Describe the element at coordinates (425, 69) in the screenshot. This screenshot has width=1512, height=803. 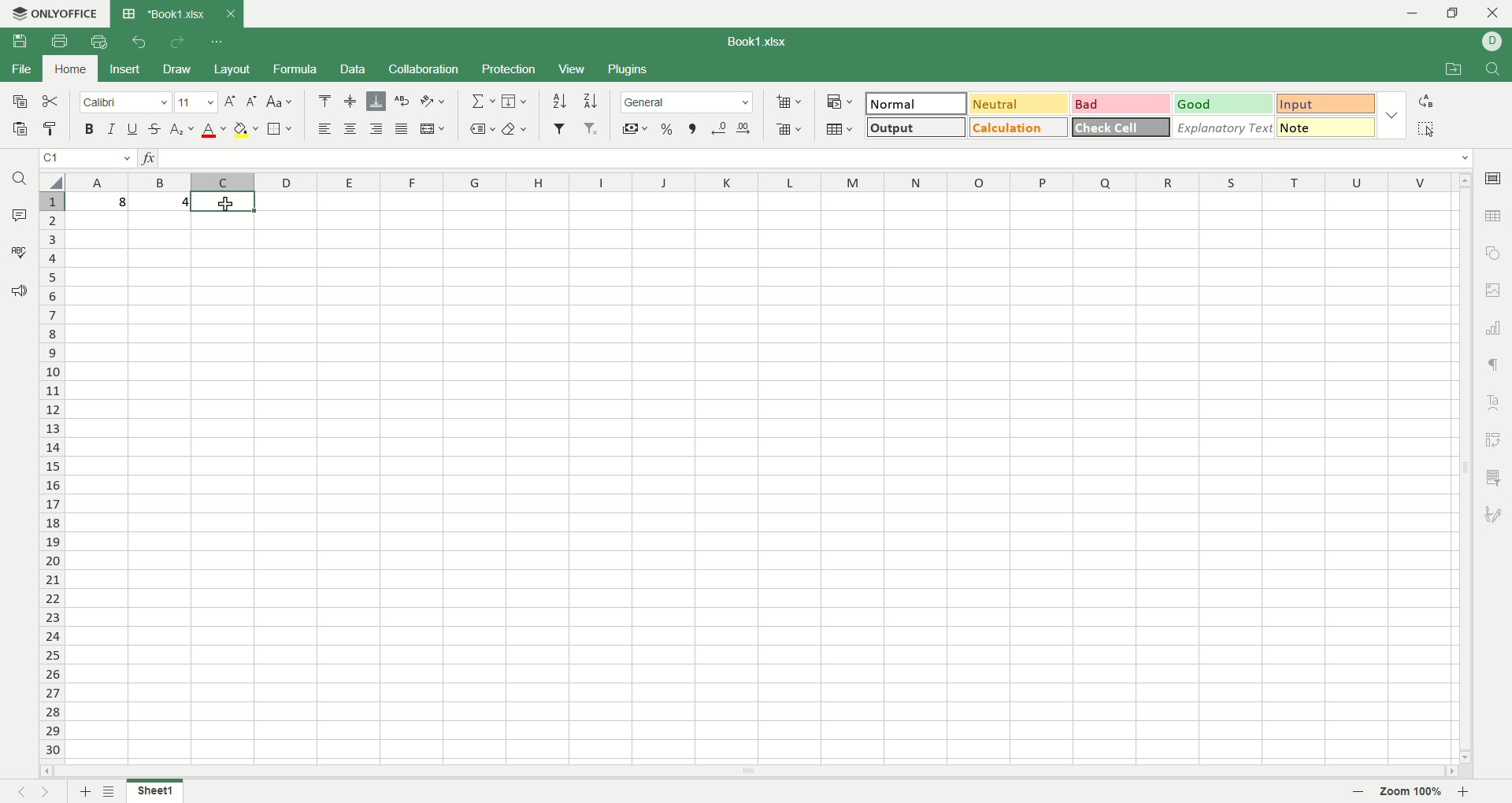
I see `collaboration` at that location.